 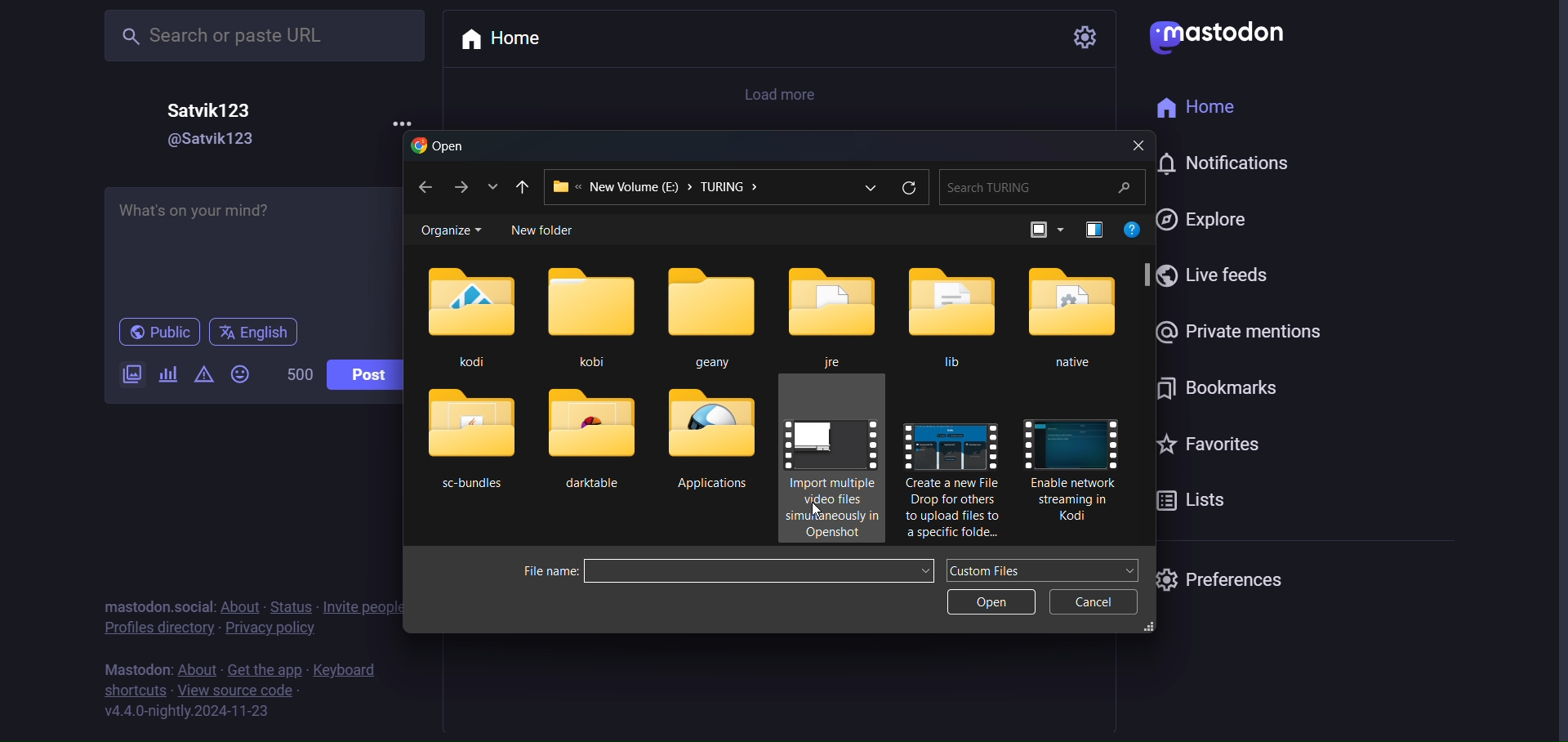 I want to click on about, so click(x=196, y=668).